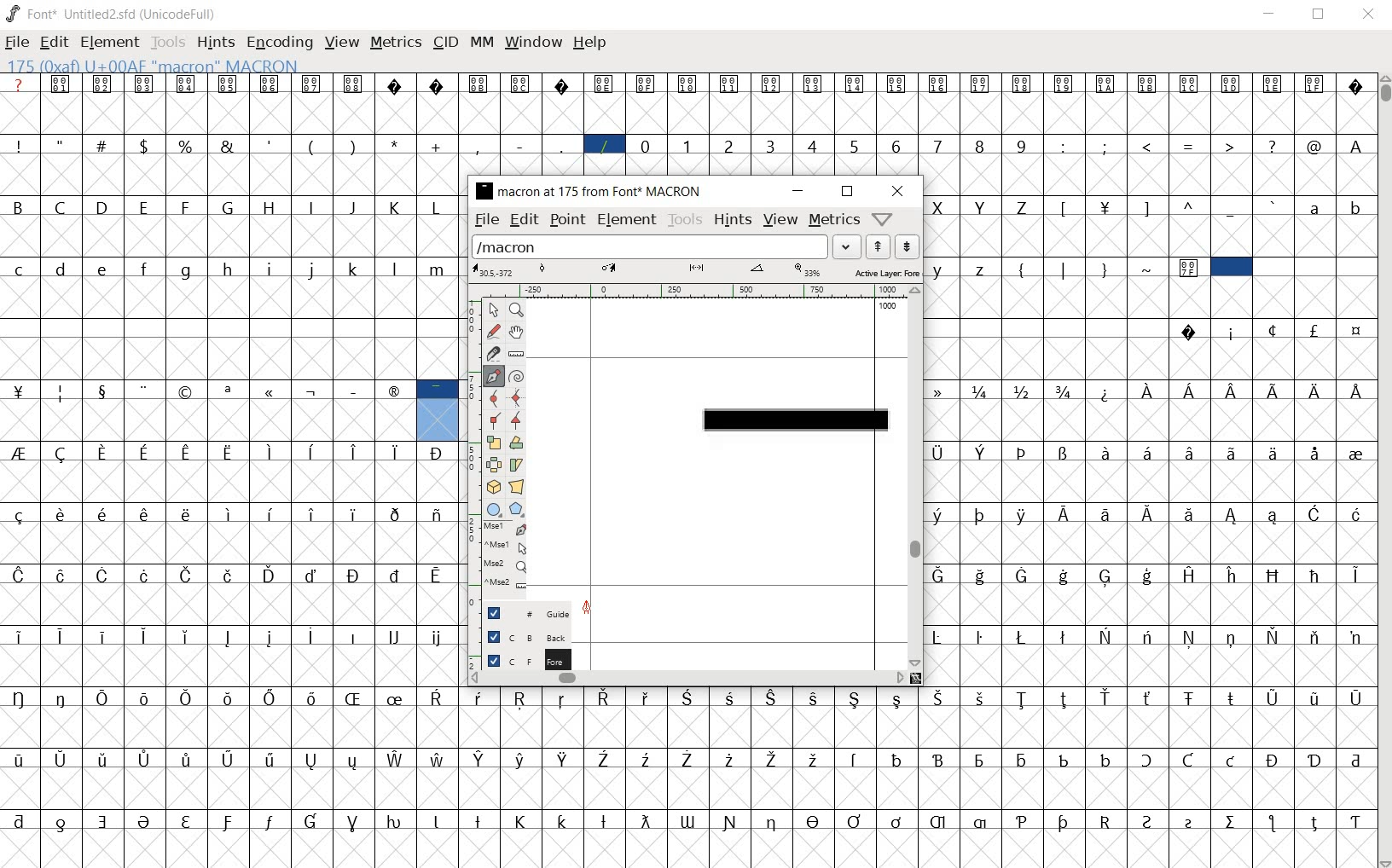 The width and height of the screenshot is (1392, 868). Describe the element at coordinates (111, 43) in the screenshot. I see `element` at that location.